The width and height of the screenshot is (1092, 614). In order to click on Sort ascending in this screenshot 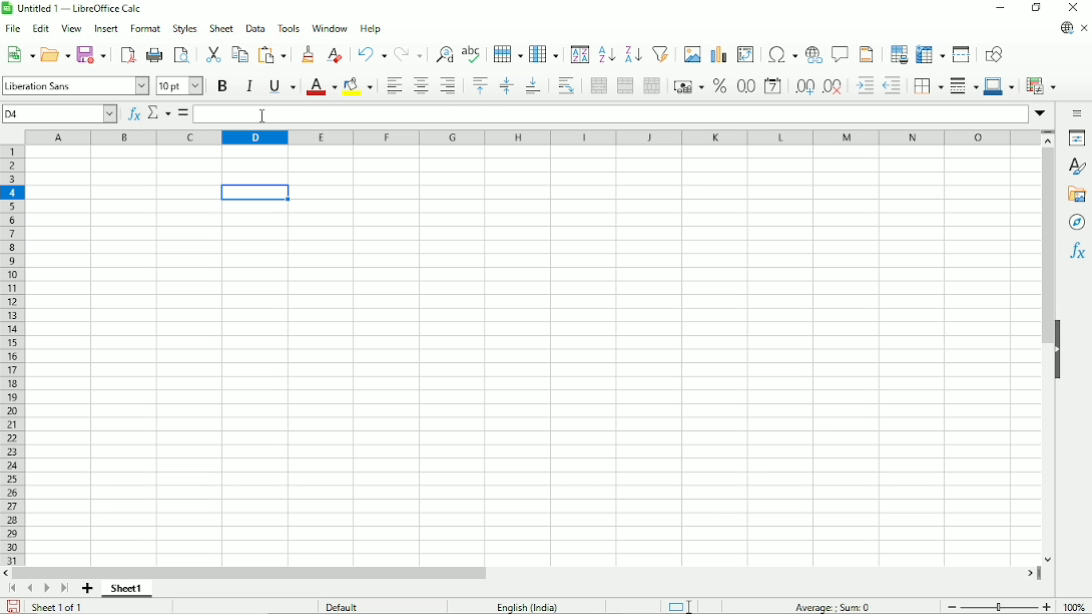, I will do `click(608, 54)`.